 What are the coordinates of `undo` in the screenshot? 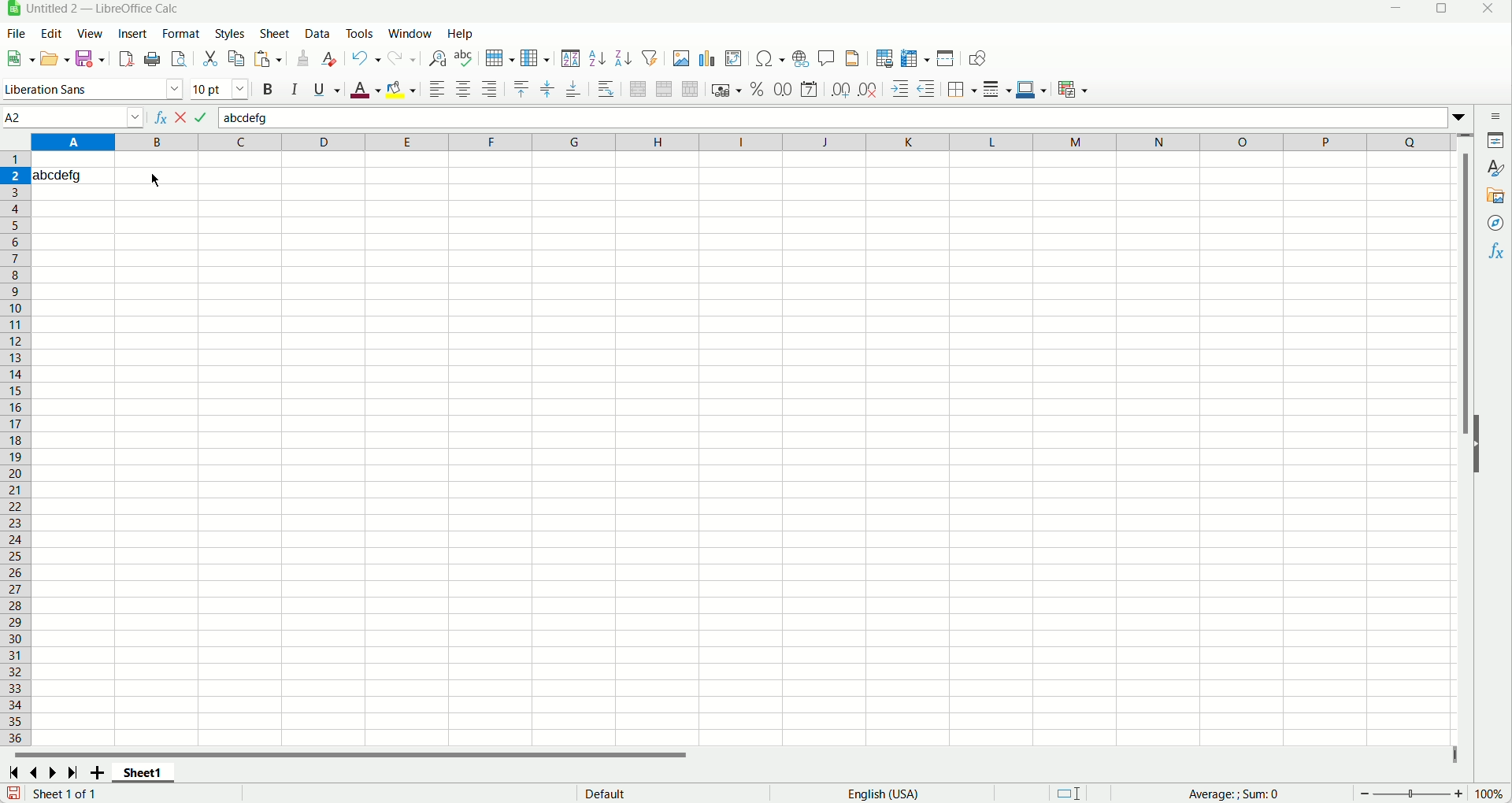 It's located at (366, 59).